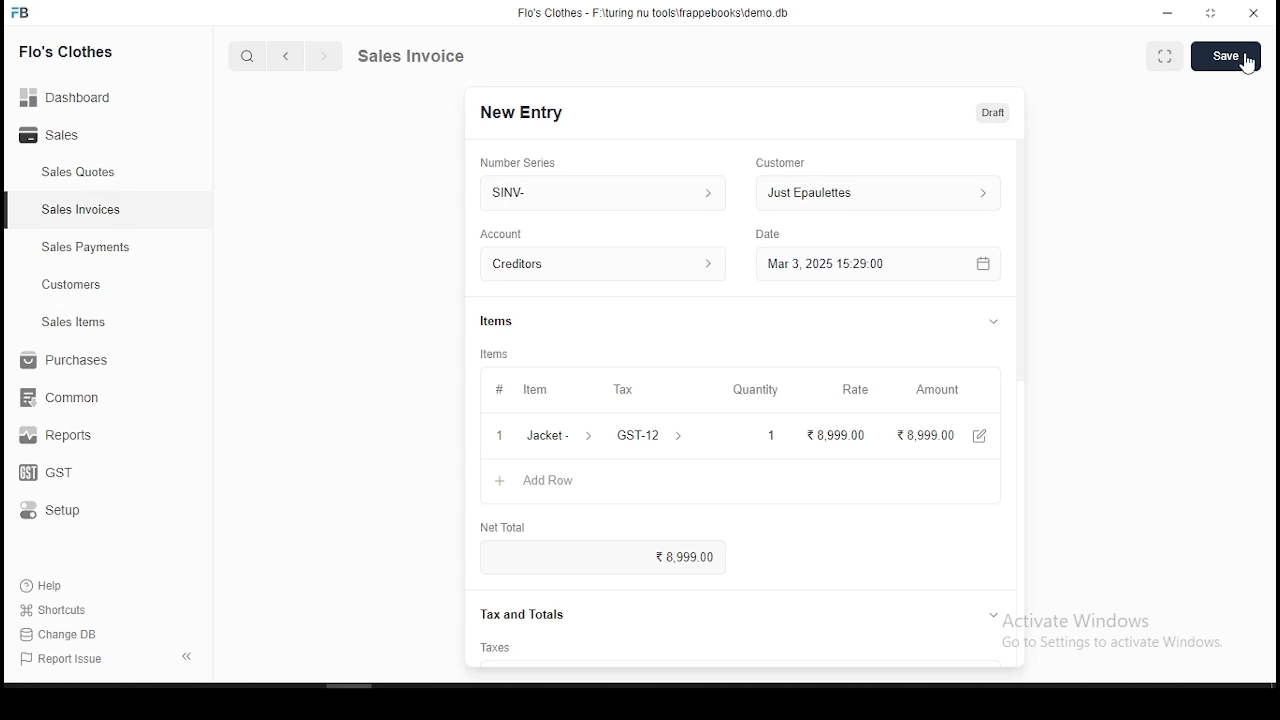 The image size is (1280, 720). Describe the element at coordinates (78, 323) in the screenshot. I see `ales items` at that location.